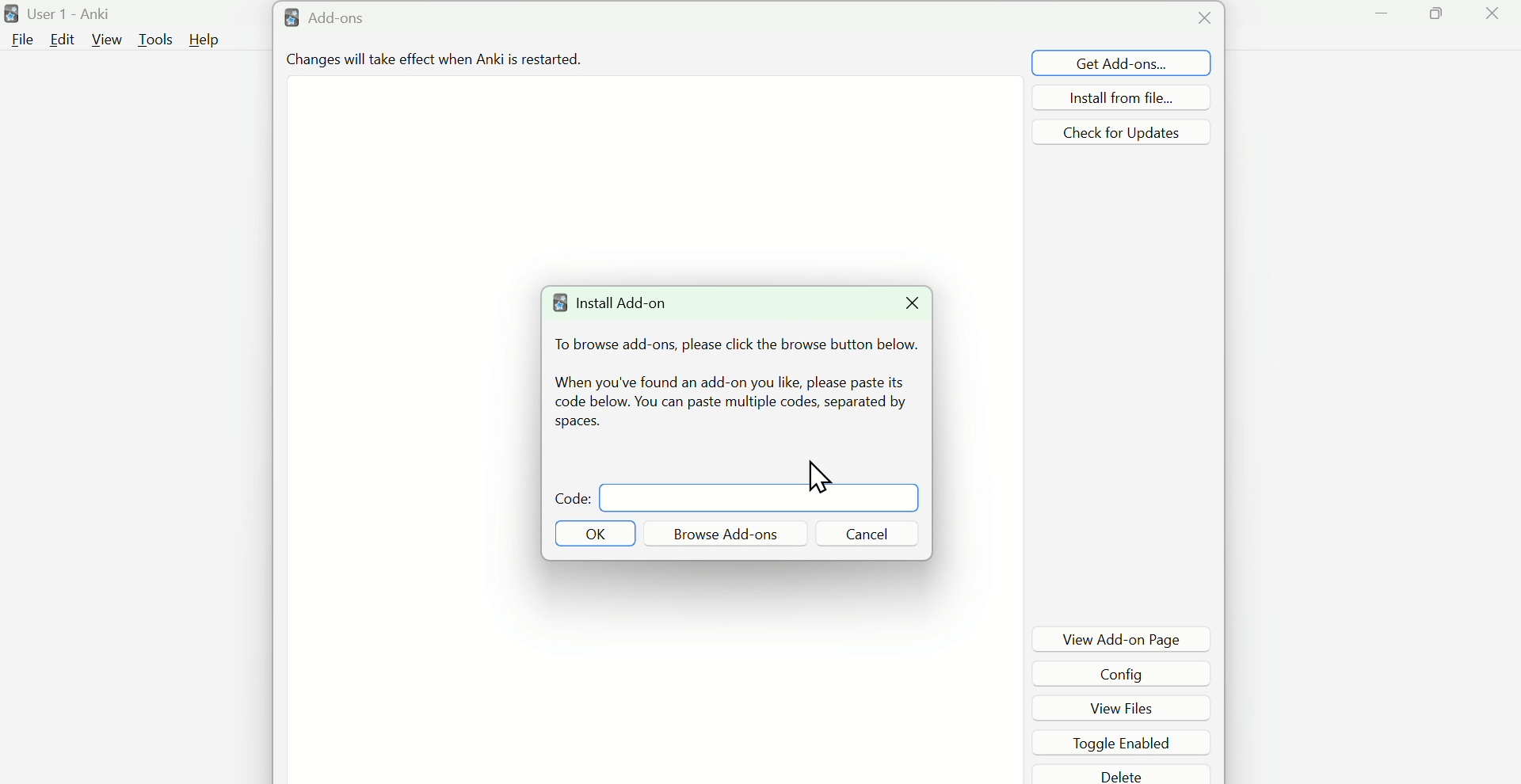 The height and width of the screenshot is (784, 1521). What do you see at coordinates (1122, 63) in the screenshot?
I see `Get add Ons` at bounding box center [1122, 63].